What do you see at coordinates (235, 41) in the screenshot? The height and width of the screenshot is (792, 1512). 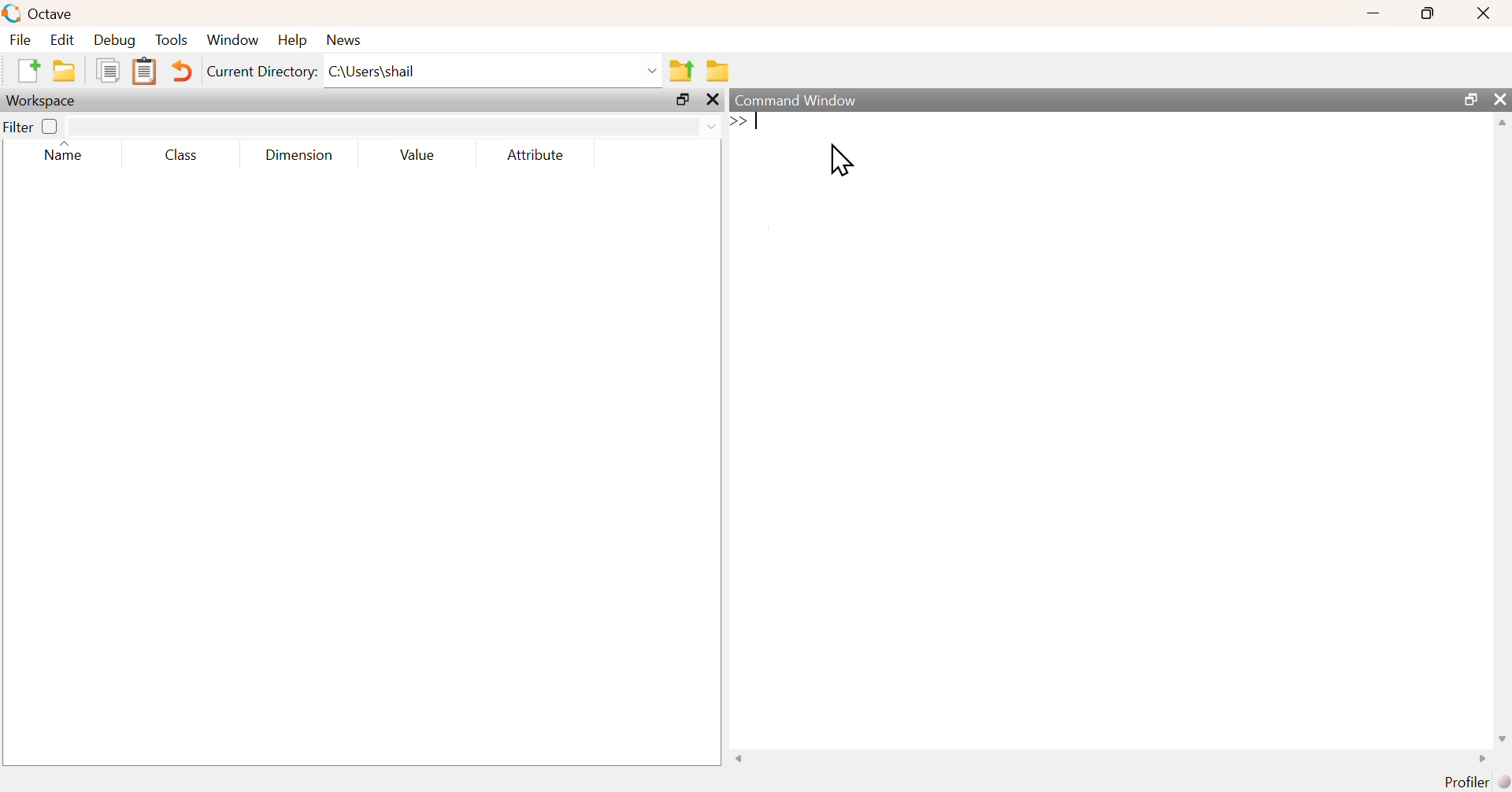 I see `Window` at bounding box center [235, 41].